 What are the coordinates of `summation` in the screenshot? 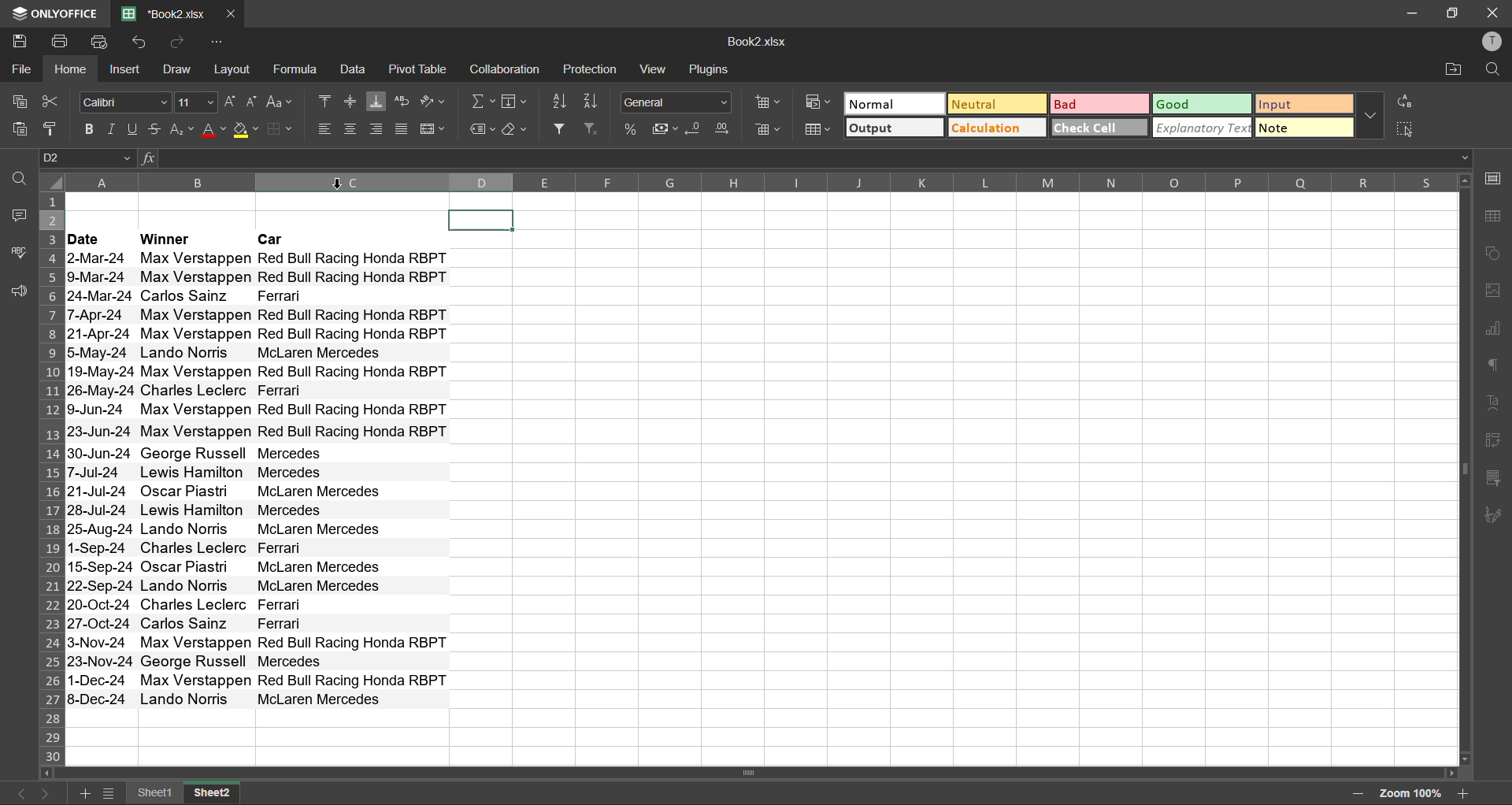 It's located at (480, 103).